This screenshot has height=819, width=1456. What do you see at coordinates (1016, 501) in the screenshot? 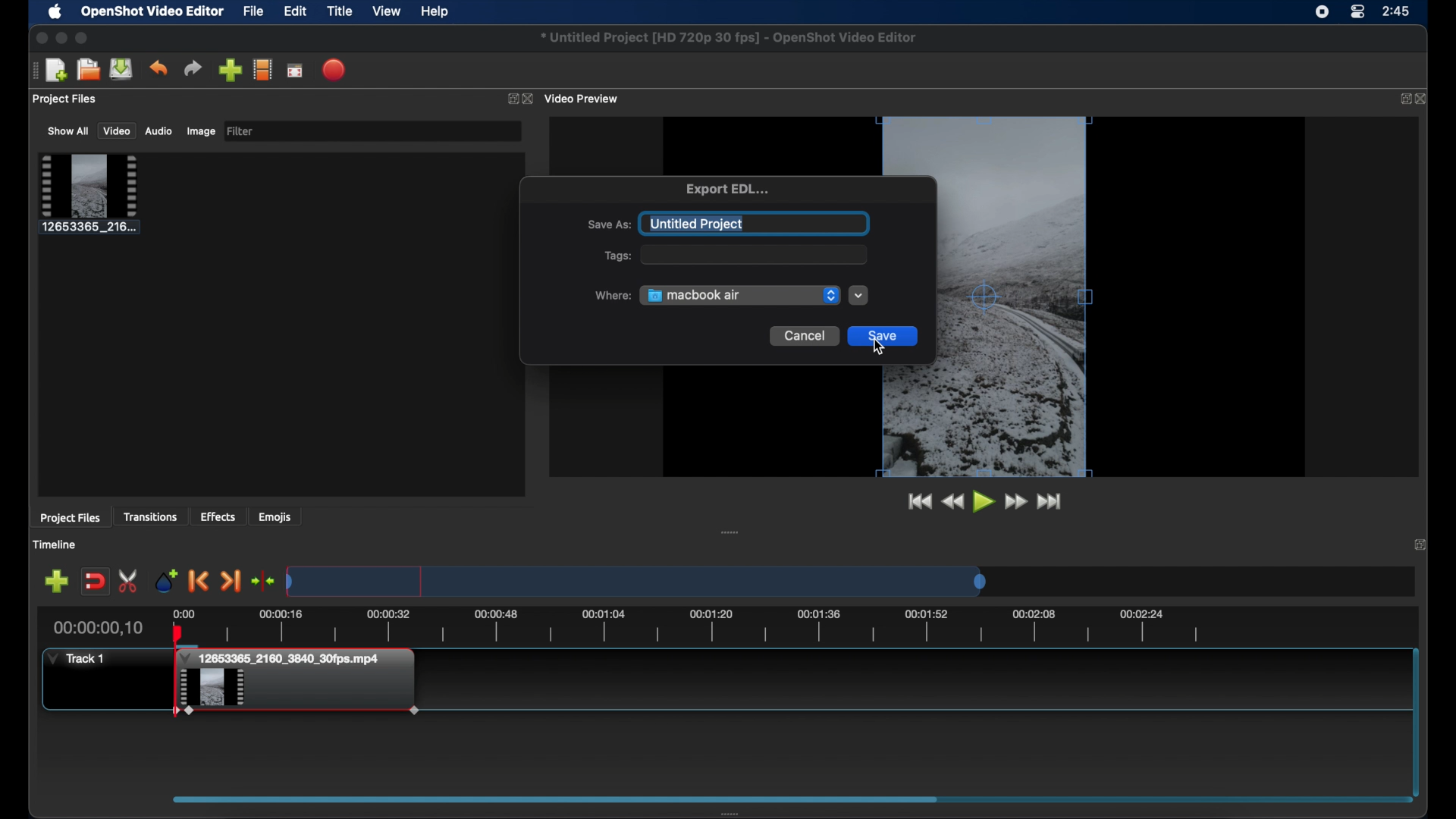
I see `fast forward` at bounding box center [1016, 501].